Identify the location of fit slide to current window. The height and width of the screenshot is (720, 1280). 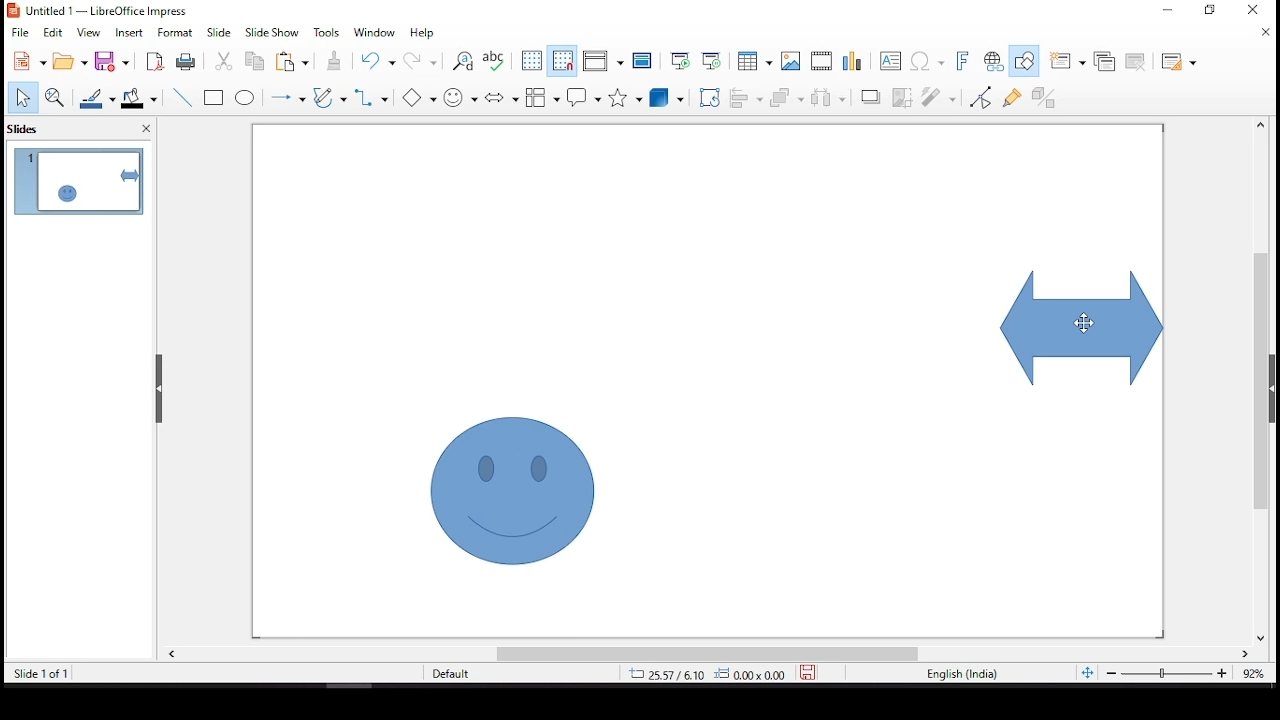
(1087, 672).